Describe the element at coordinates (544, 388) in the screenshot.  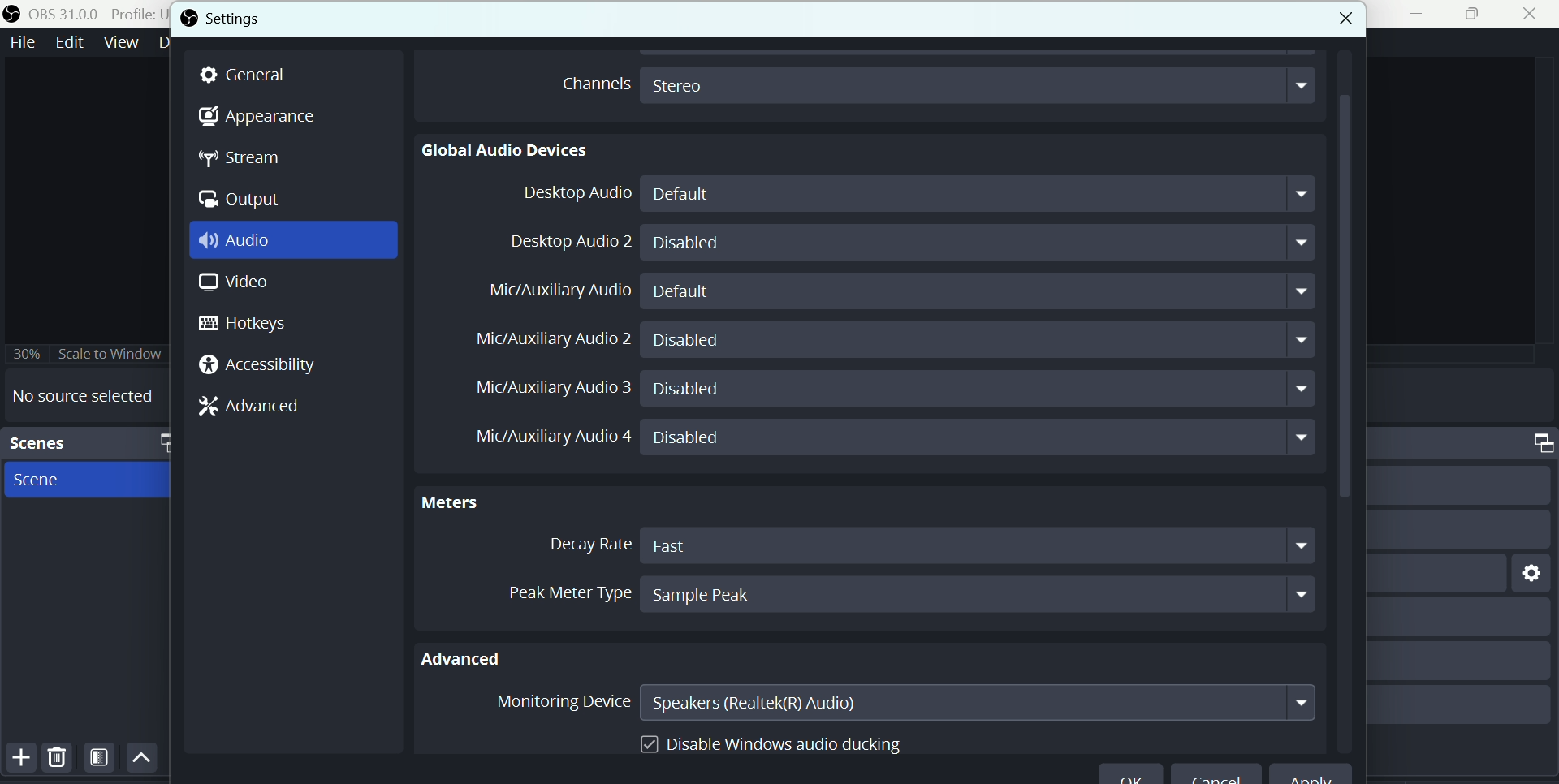
I see `Mic/Auxiliary Audio 3` at that location.